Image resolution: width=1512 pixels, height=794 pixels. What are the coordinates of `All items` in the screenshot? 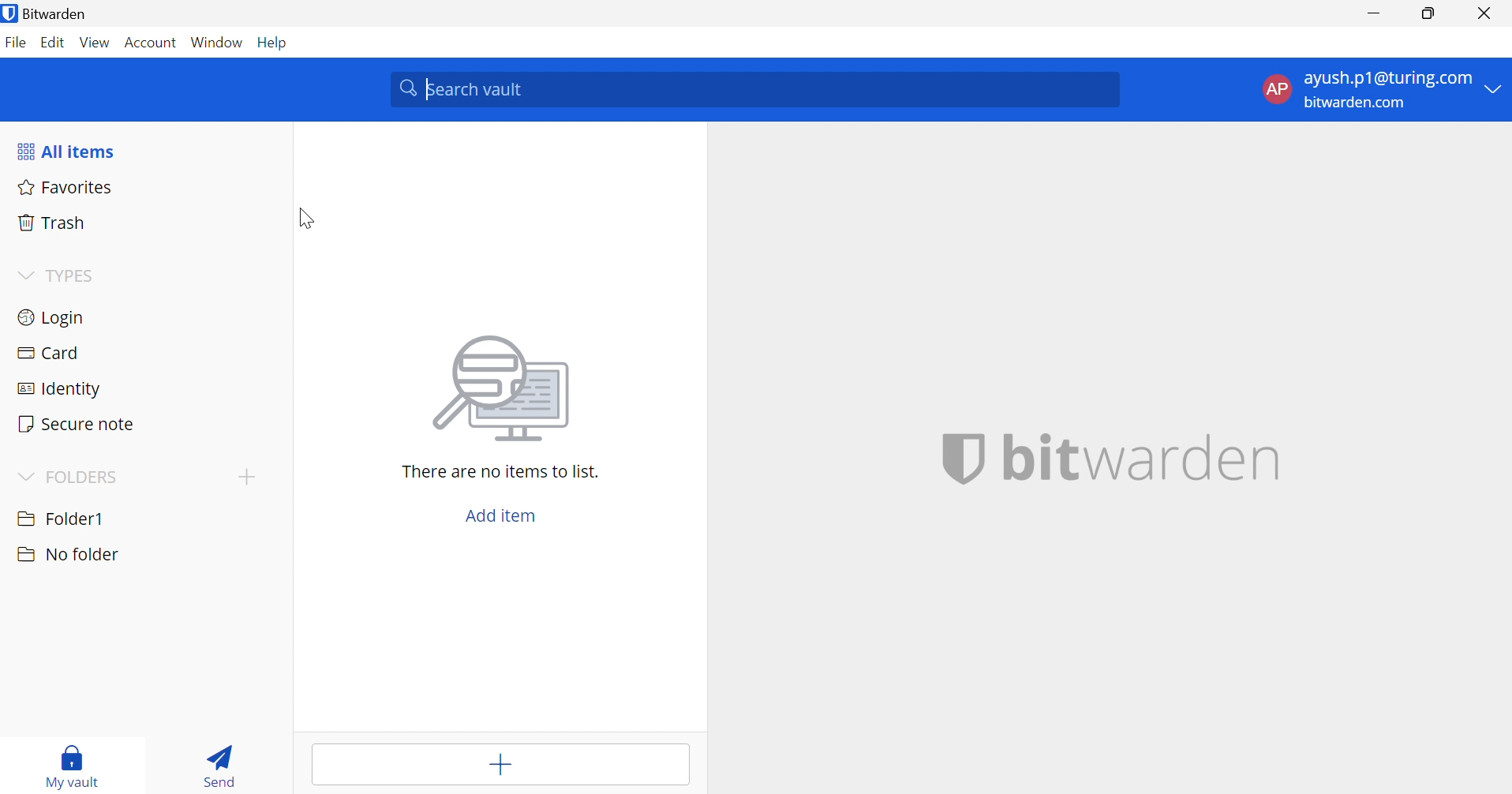 It's located at (65, 150).